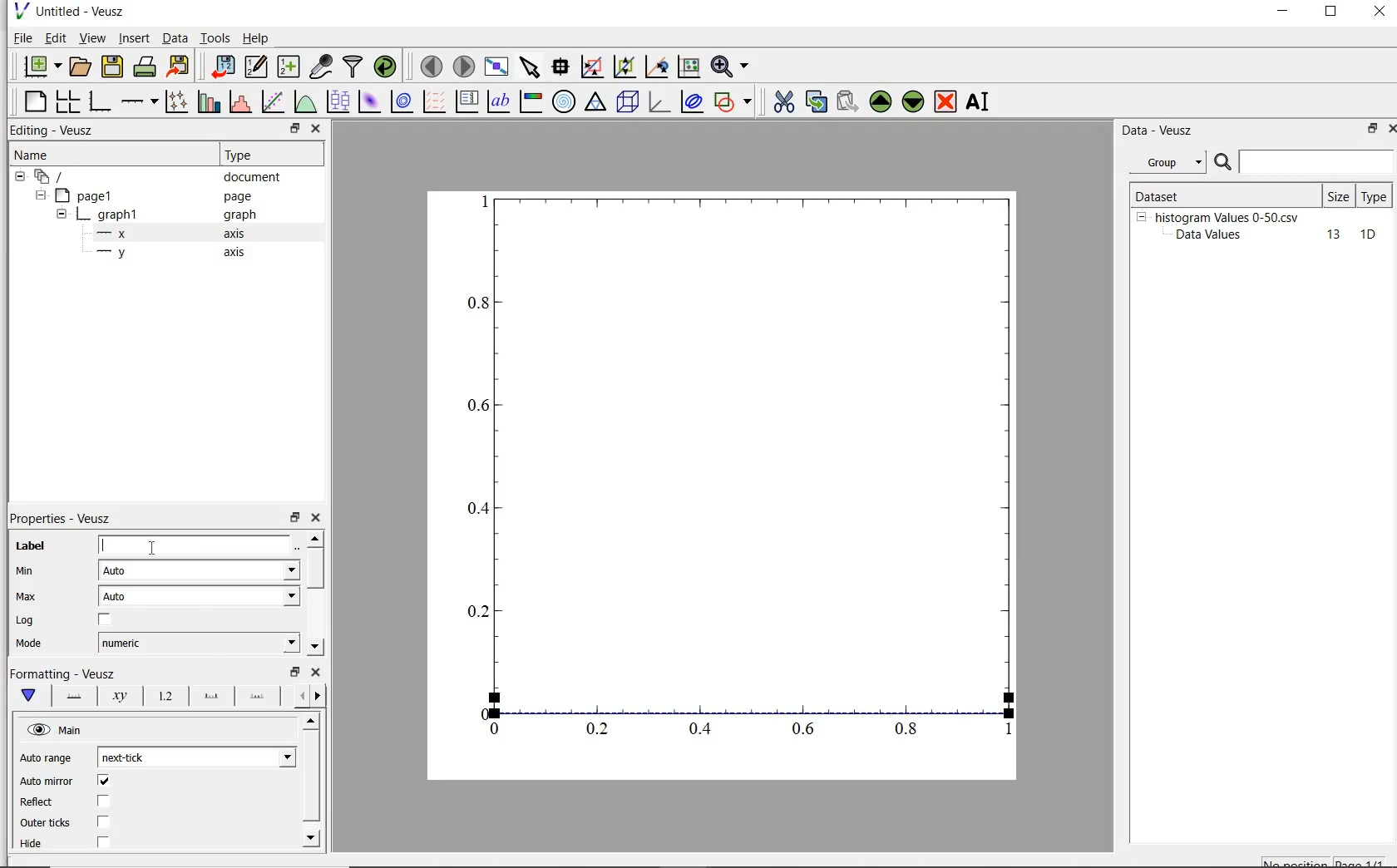 The height and width of the screenshot is (868, 1397). I want to click on hide, so click(20, 177).